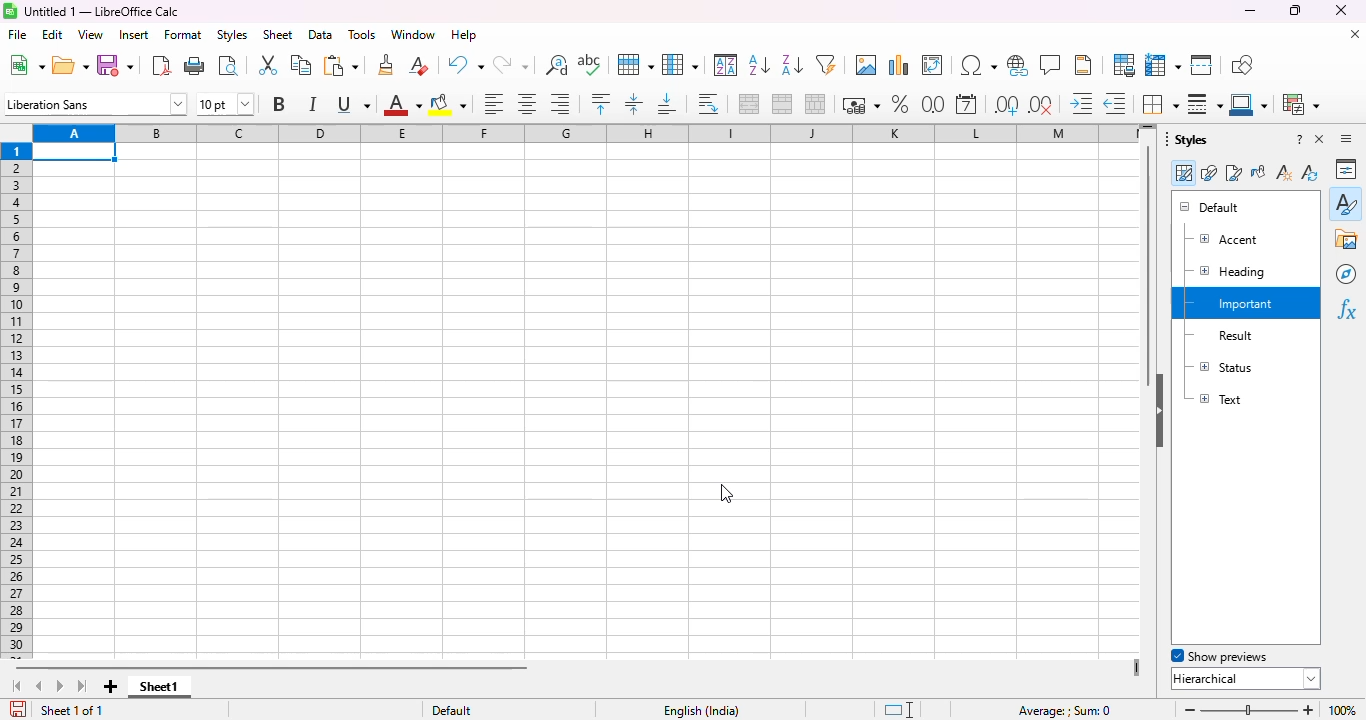  What do you see at coordinates (1187, 138) in the screenshot?
I see `styles` at bounding box center [1187, 138].